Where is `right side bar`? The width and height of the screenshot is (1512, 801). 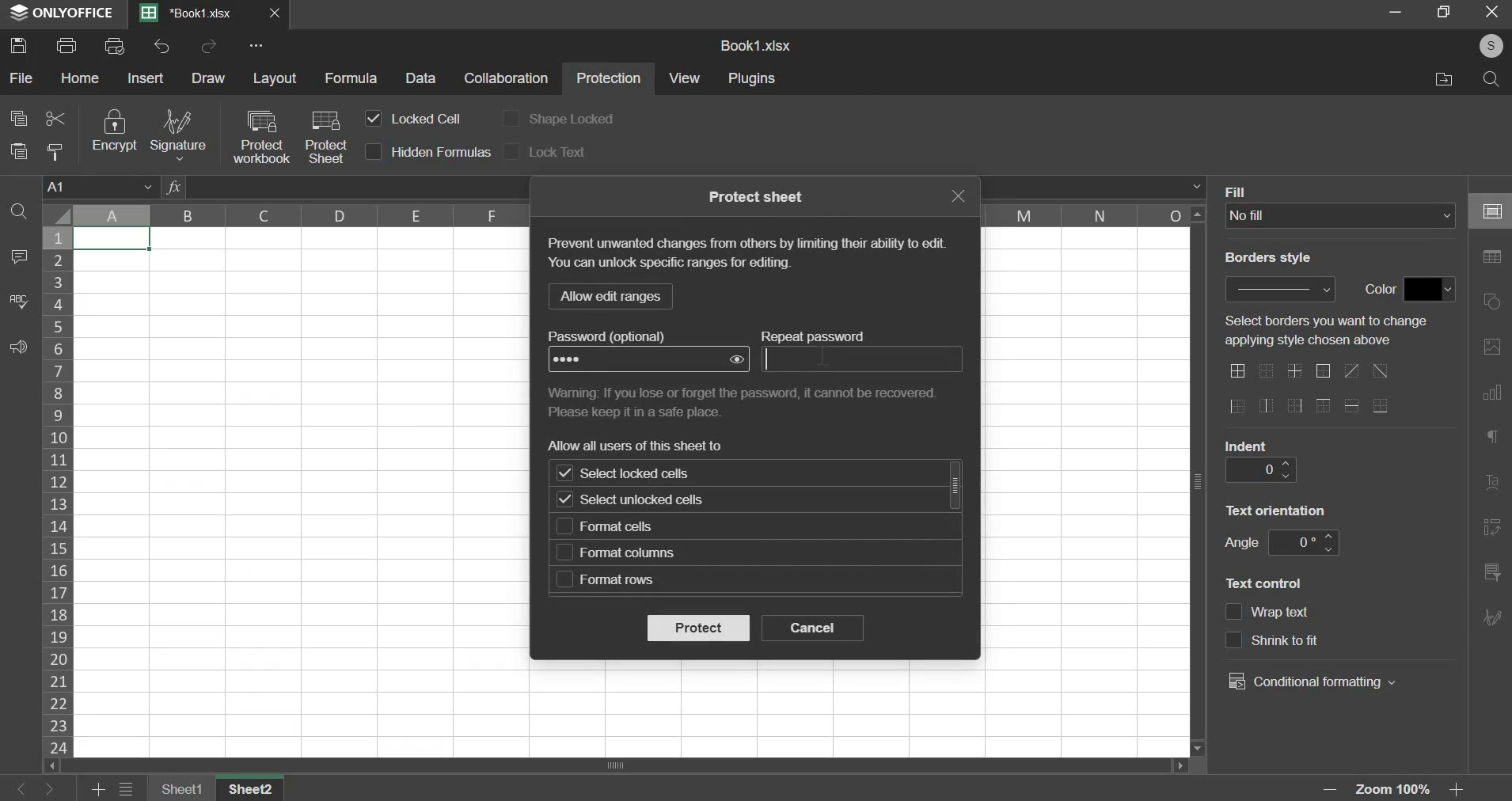 right side bar is located at coordinates (1494, 257).